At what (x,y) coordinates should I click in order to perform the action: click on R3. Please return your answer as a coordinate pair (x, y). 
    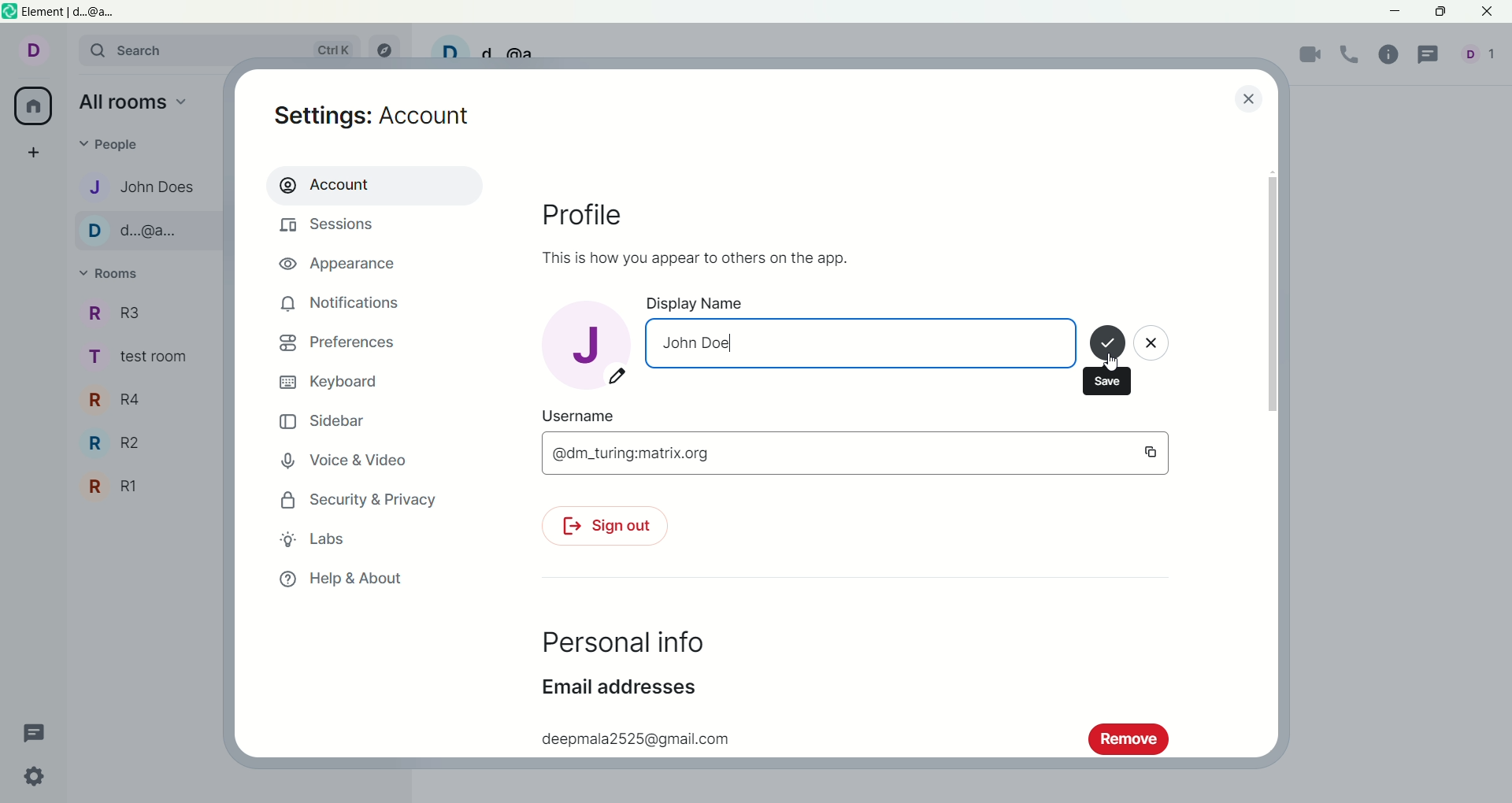
    Looking at the image, I should click on (125, 313).